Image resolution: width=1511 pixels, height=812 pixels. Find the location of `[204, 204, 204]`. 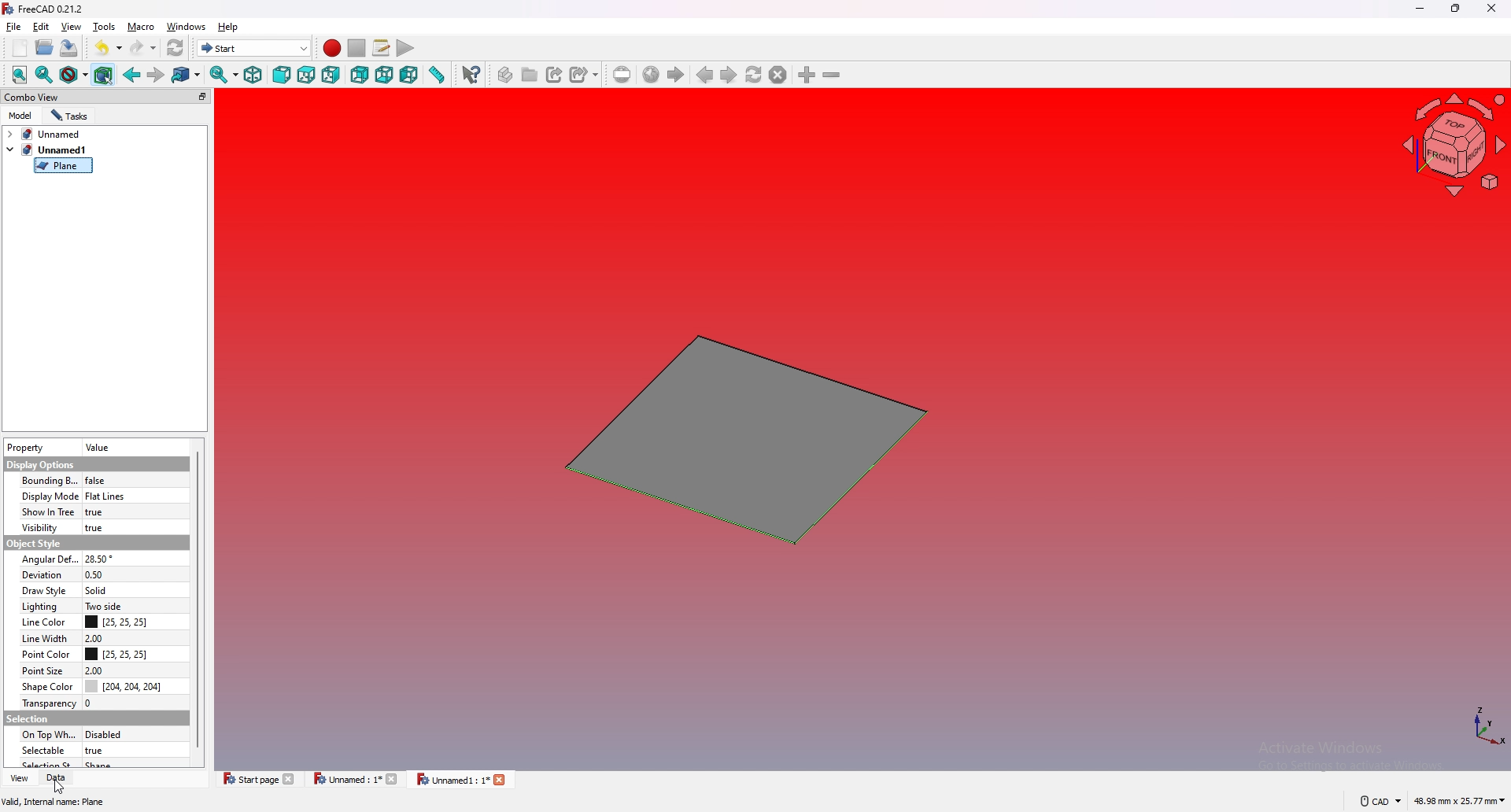

[204, 204, 204] is located at coordinates (125, 685).